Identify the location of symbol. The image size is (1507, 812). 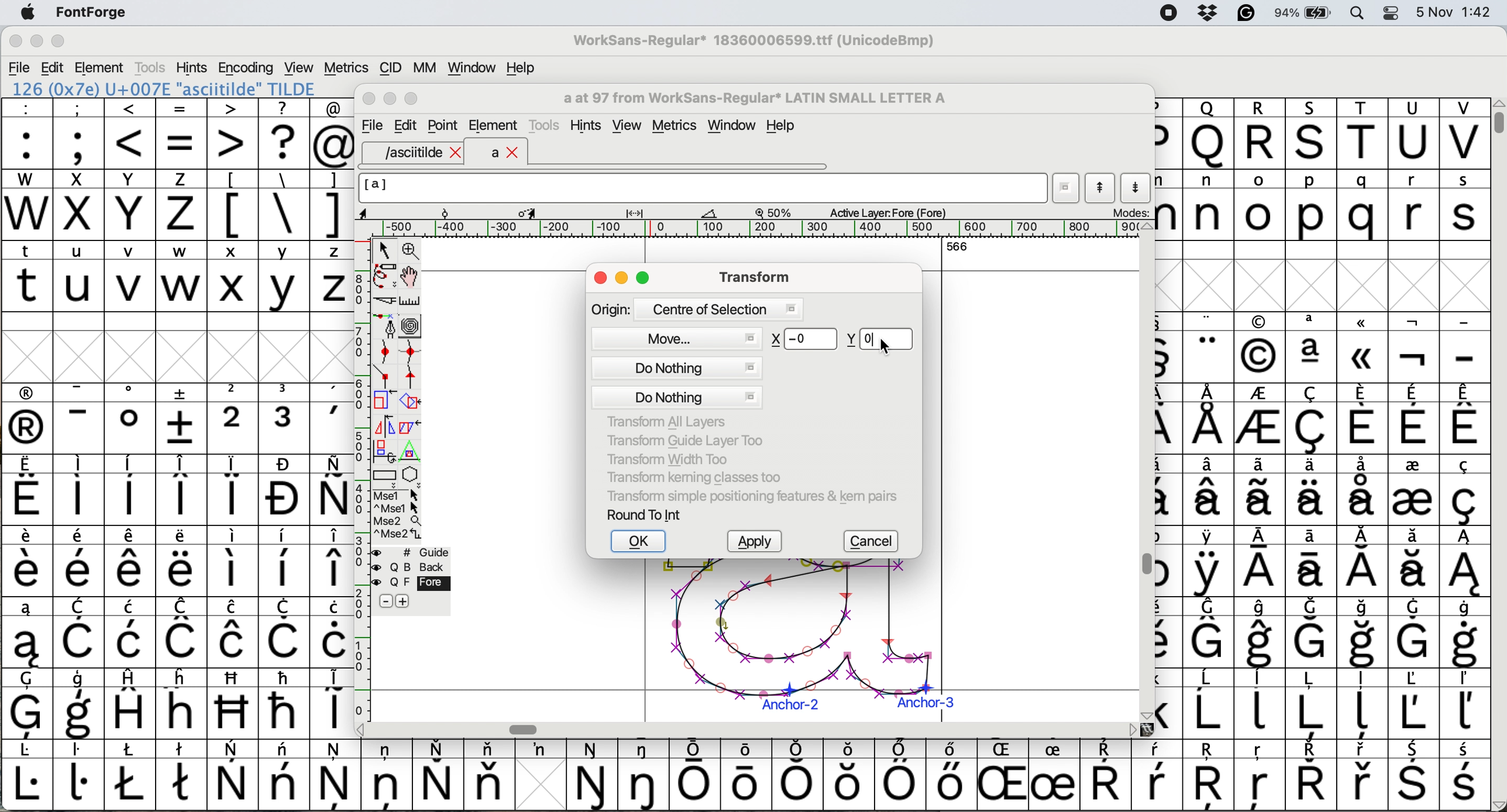
(1464, 562).